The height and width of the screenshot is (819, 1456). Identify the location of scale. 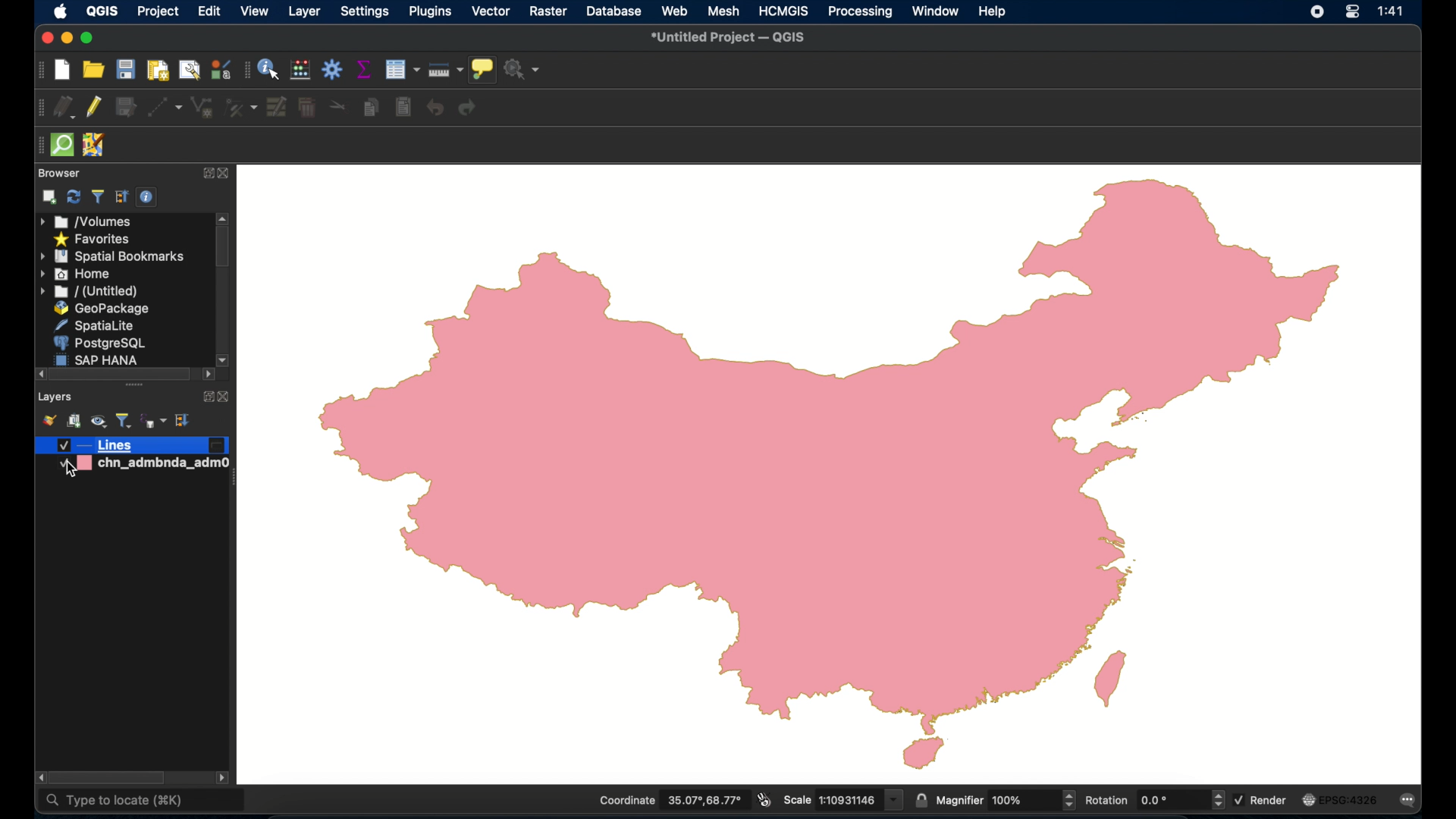
(842, 799).